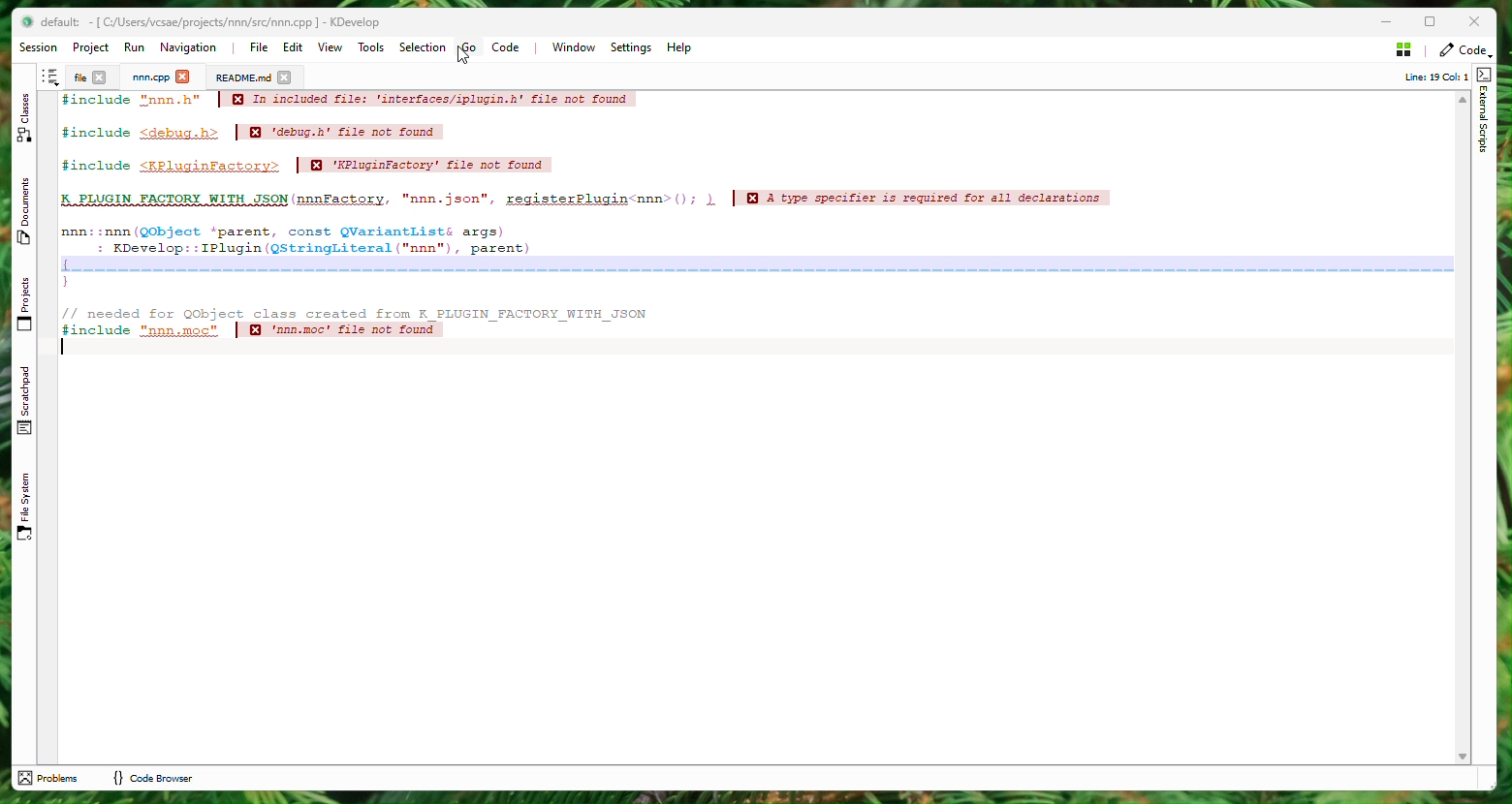  Describe the element at coordinates (152, 778) in the screenshot. I see `code browser` at that location.